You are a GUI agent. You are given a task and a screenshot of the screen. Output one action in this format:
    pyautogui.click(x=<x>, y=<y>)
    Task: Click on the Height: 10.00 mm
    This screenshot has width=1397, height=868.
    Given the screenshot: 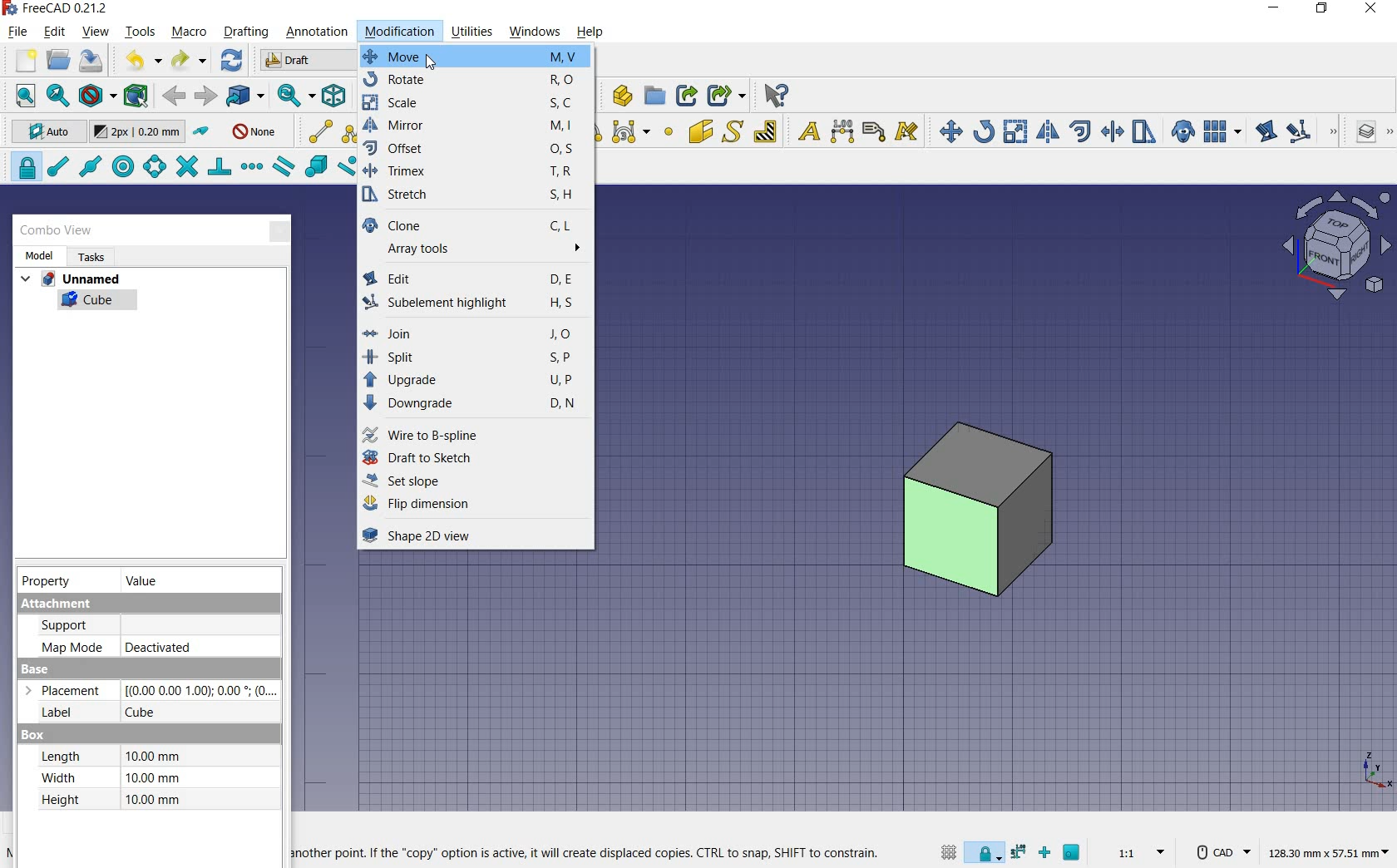 What is the action you would take?
    pyautogui.click(x=113, y=800)
    